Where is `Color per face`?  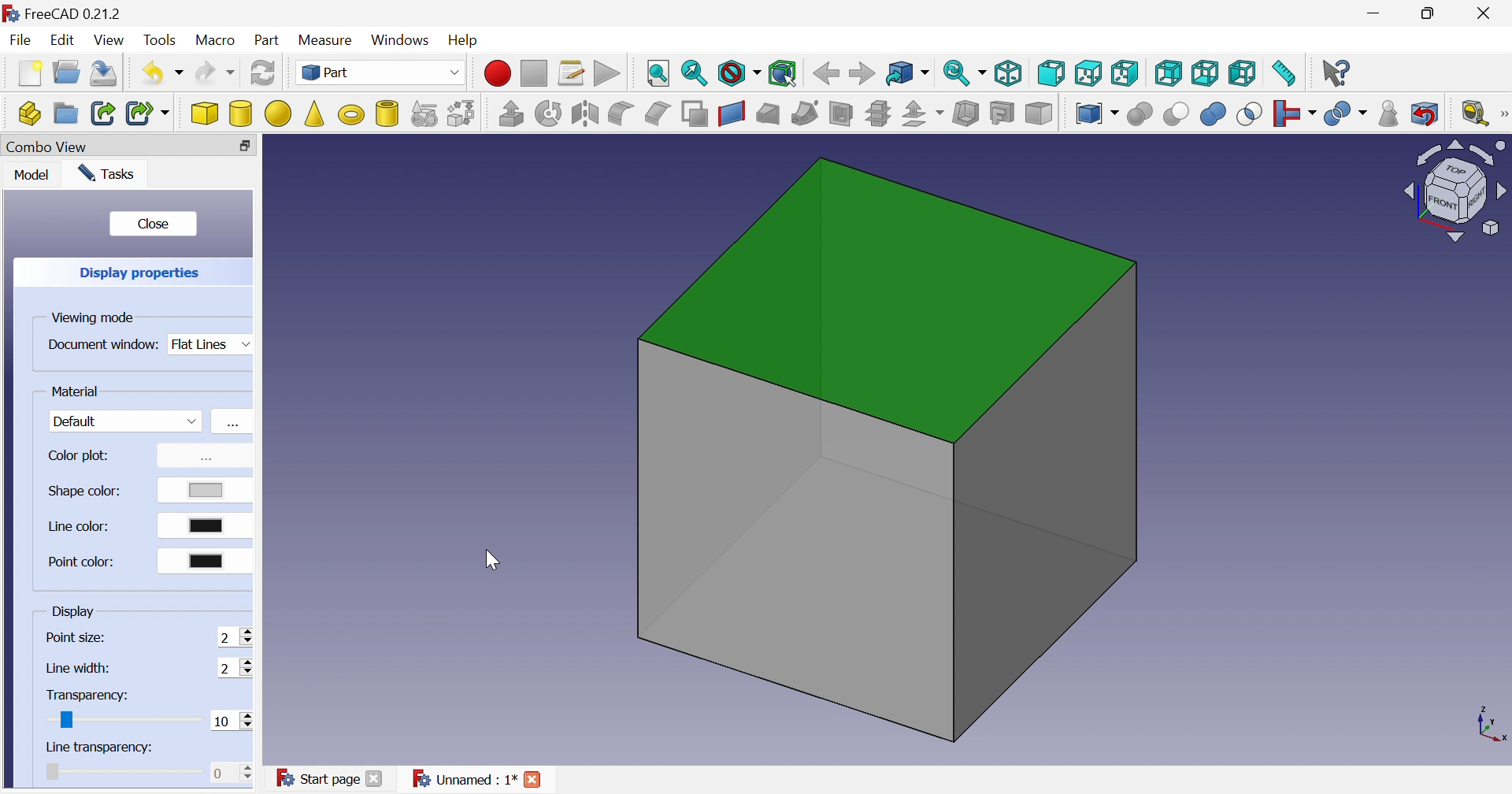
Color per face is located at coordinates (1042, 114).